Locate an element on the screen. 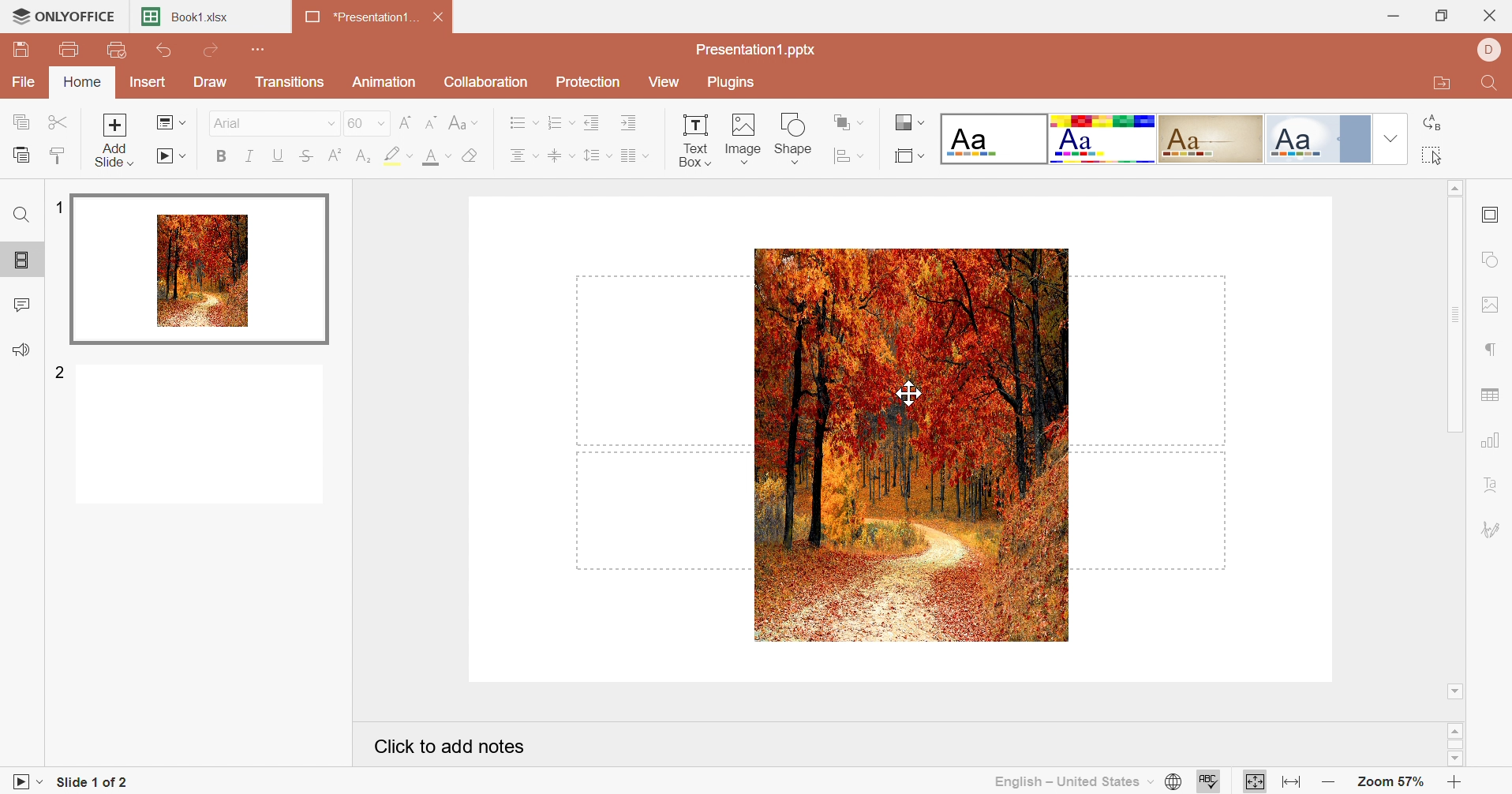  Zoom 57% is located at coordinates (1387, 781).